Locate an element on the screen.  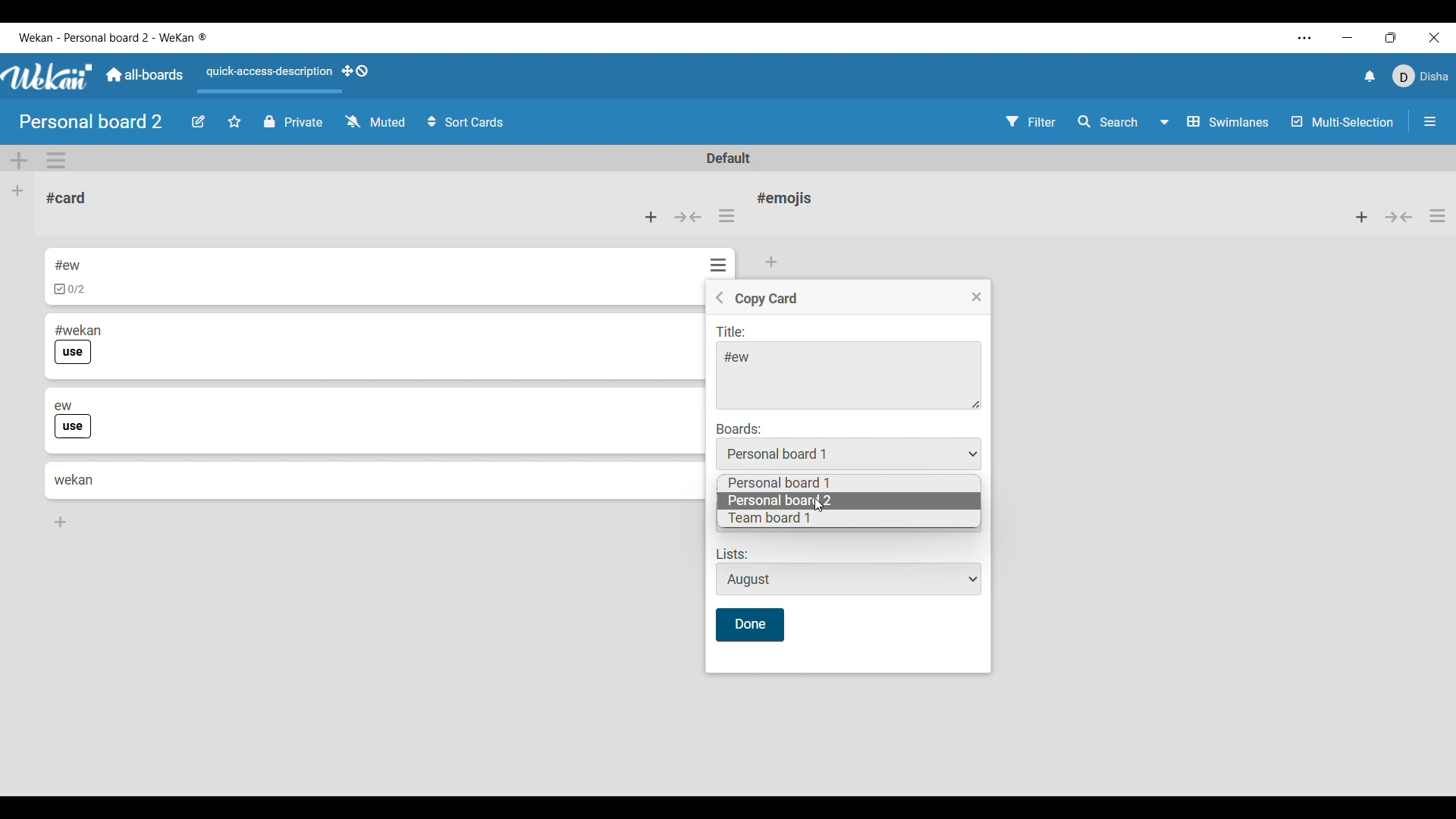
Quick access description is located at coordinates (266, 78).